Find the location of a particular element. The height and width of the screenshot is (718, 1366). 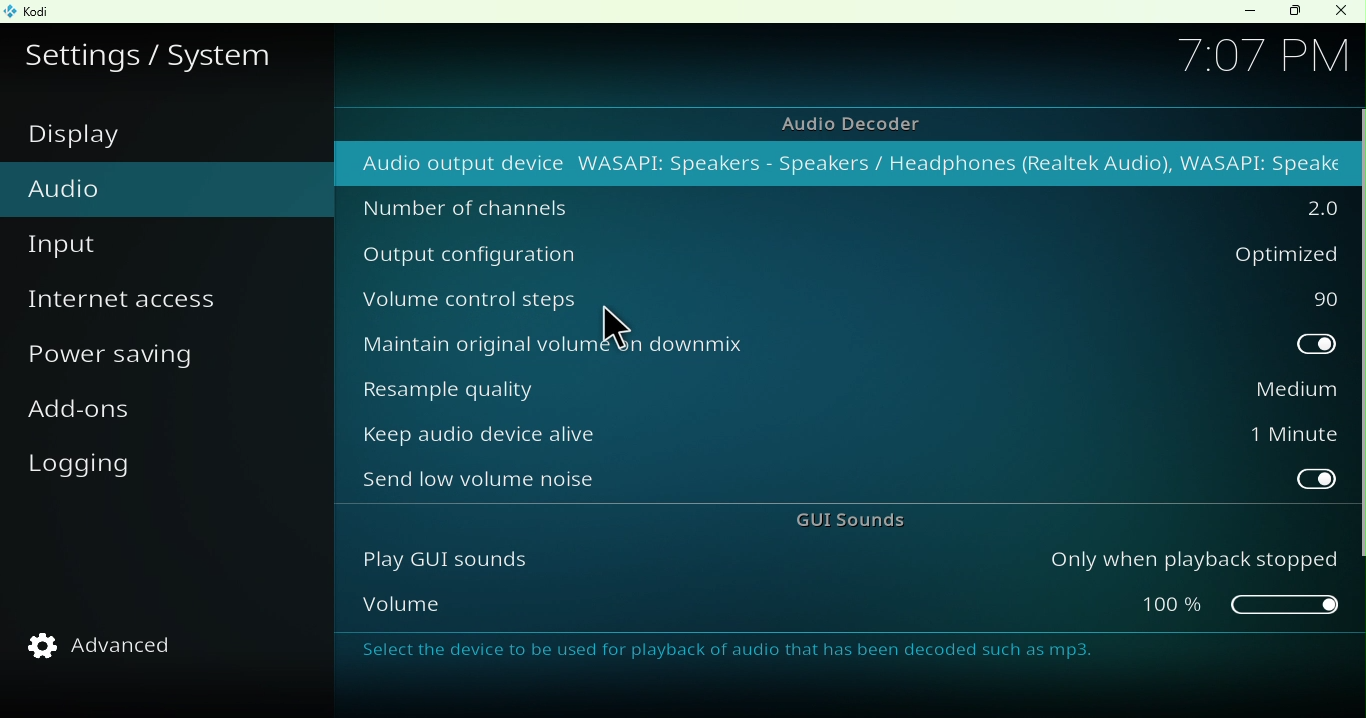

slider is located at coordinates (1193, 610).